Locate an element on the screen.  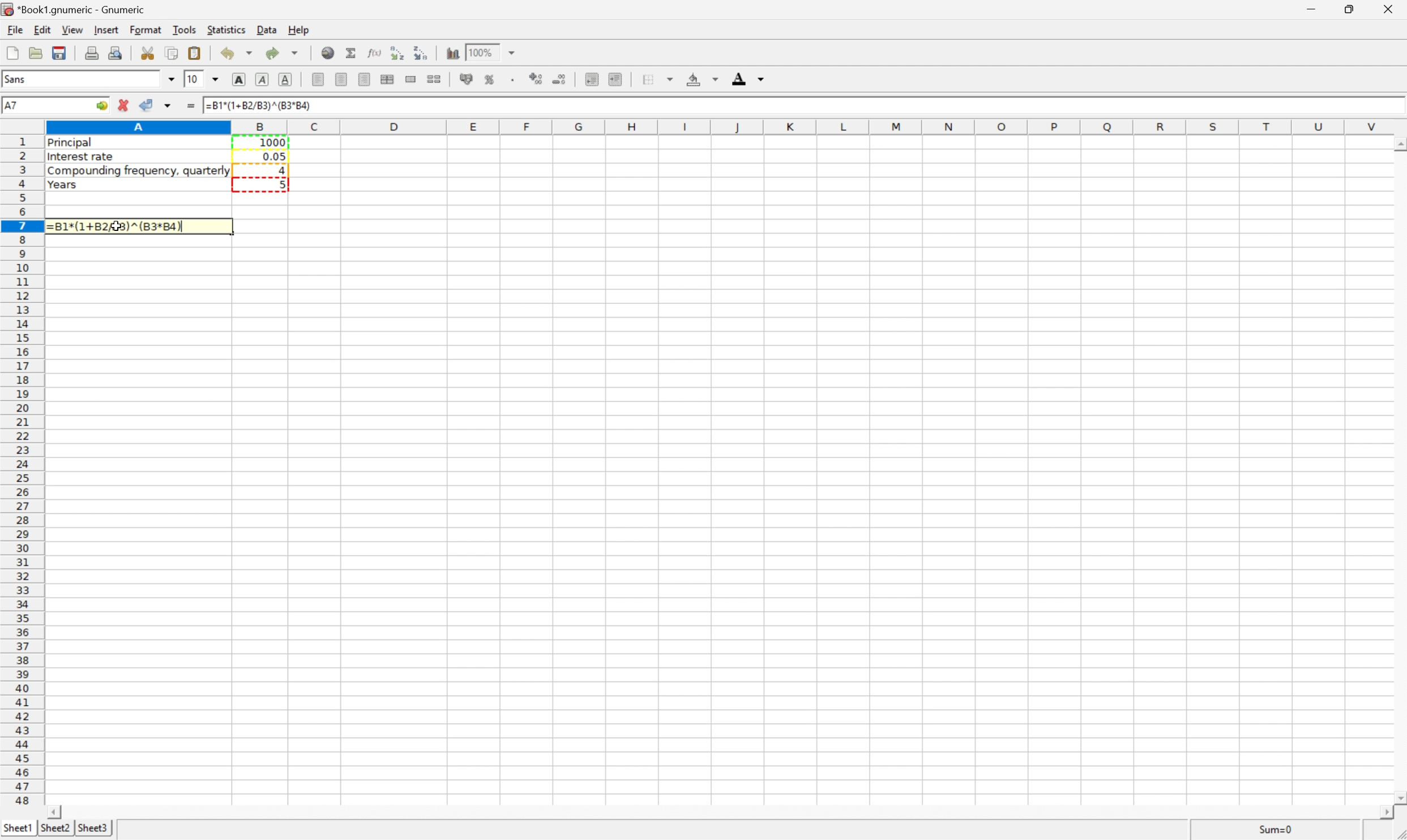
new is located at coordinates (11, 52).